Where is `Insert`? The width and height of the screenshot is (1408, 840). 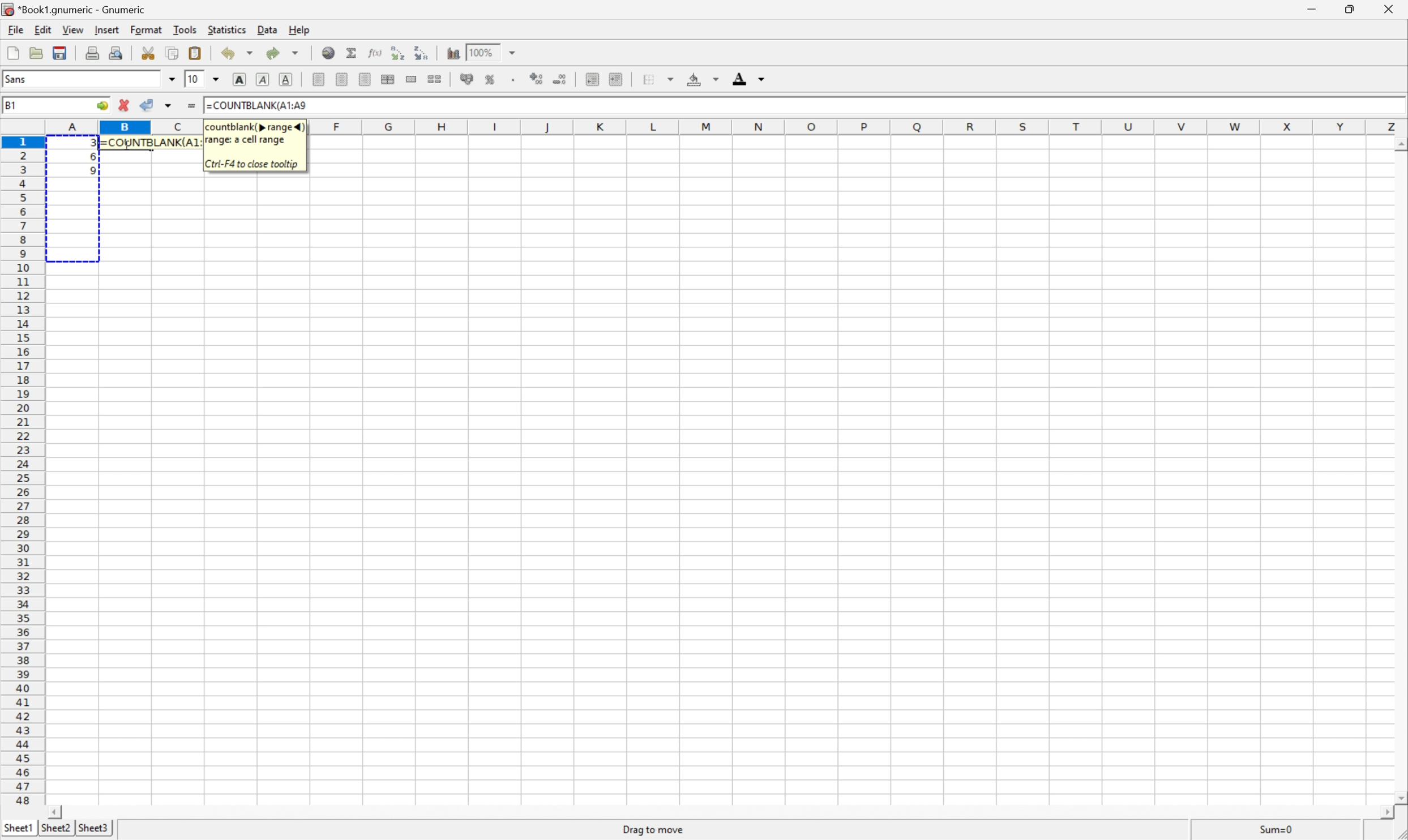 Insert is located at coordinates (106, 29).